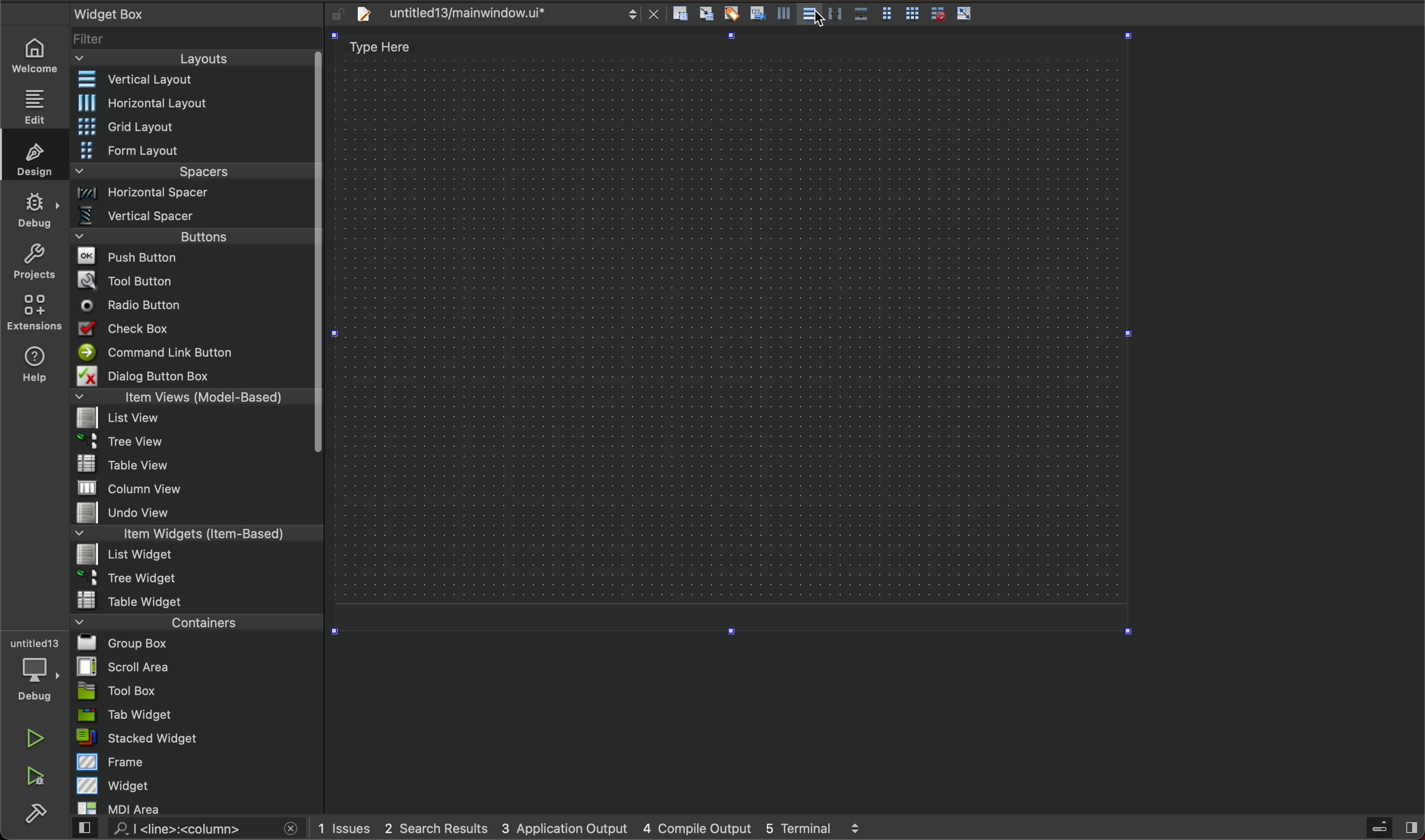 This screenshot has width=1425, height=840. Describe the element at coordinates (196, 762) in the screenshot. I see `frame` at that location.